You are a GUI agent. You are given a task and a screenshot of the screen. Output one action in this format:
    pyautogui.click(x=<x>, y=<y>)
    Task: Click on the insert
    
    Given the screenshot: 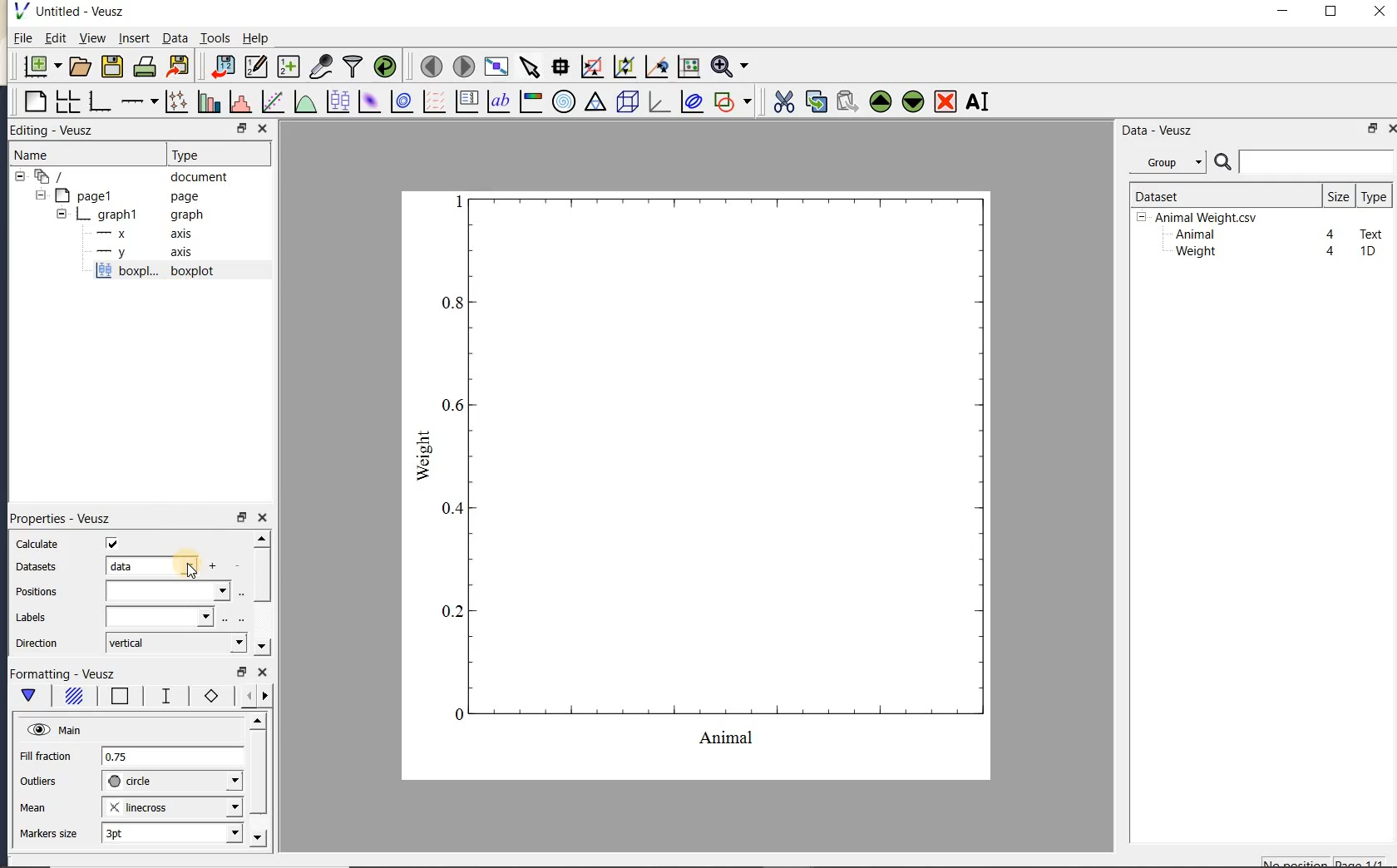 What is the action you would take?
    pyautogui.click(x=134, y=37)
    